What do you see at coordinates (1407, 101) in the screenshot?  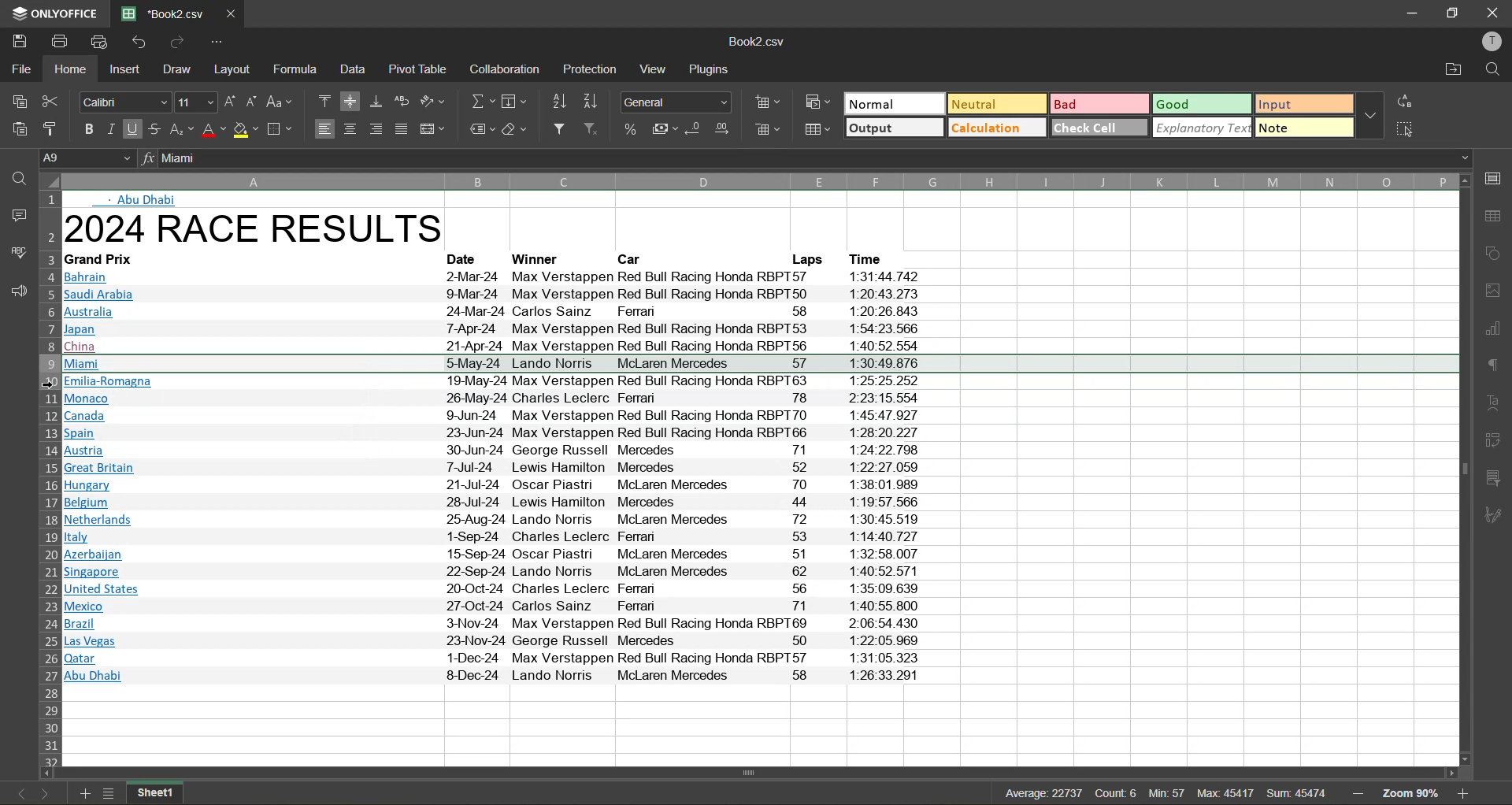 I see `replace` at bounding box center [1407, 101].